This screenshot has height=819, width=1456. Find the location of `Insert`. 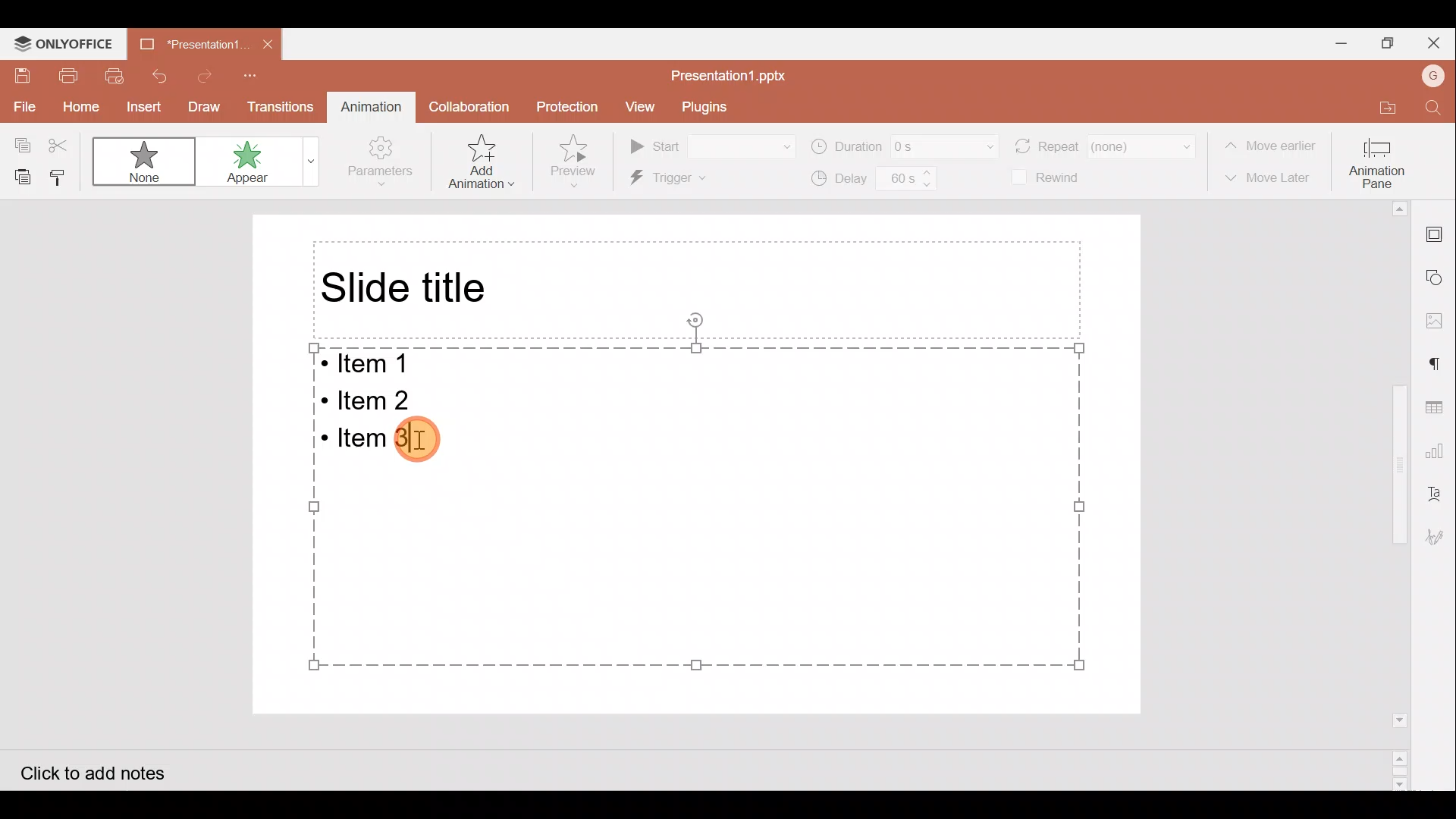

Insert is located at coordinates (140, 105).